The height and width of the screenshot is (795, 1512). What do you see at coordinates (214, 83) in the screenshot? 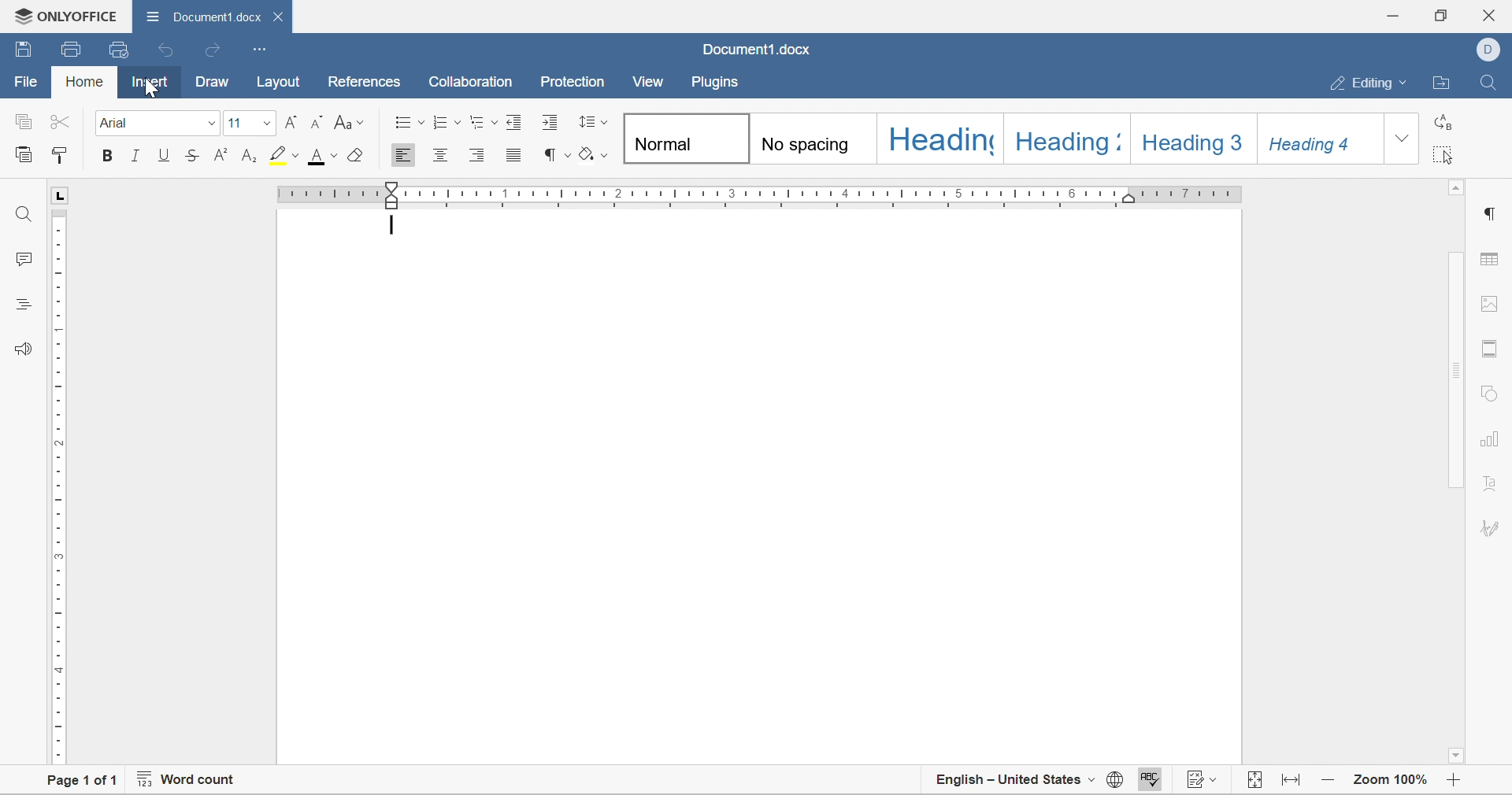
I see `Draw` at bounding box center [214, 83].